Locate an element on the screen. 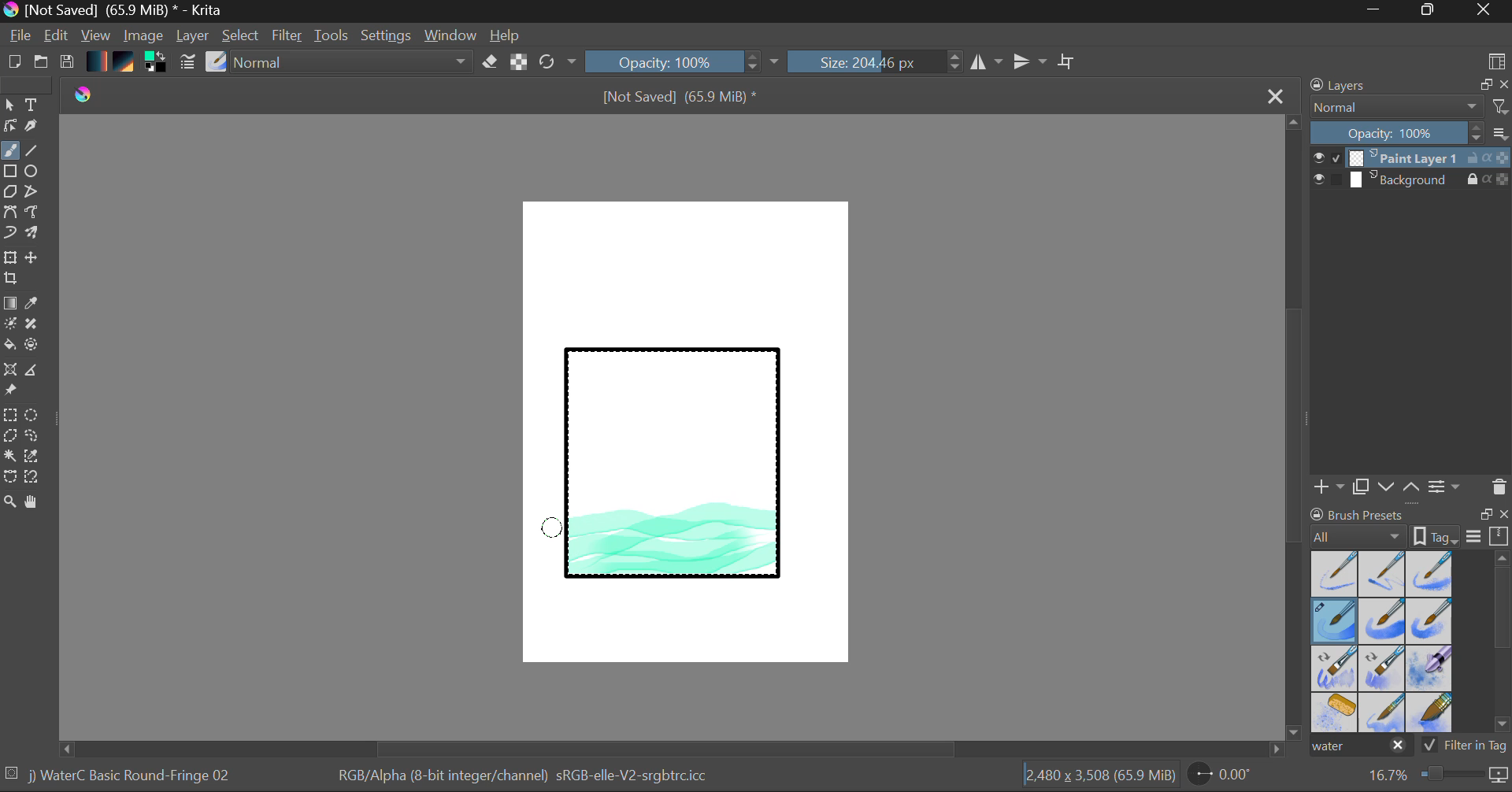 The image size is (1512, 792). Freehand Path Tool is located at coordinates (31, 213).